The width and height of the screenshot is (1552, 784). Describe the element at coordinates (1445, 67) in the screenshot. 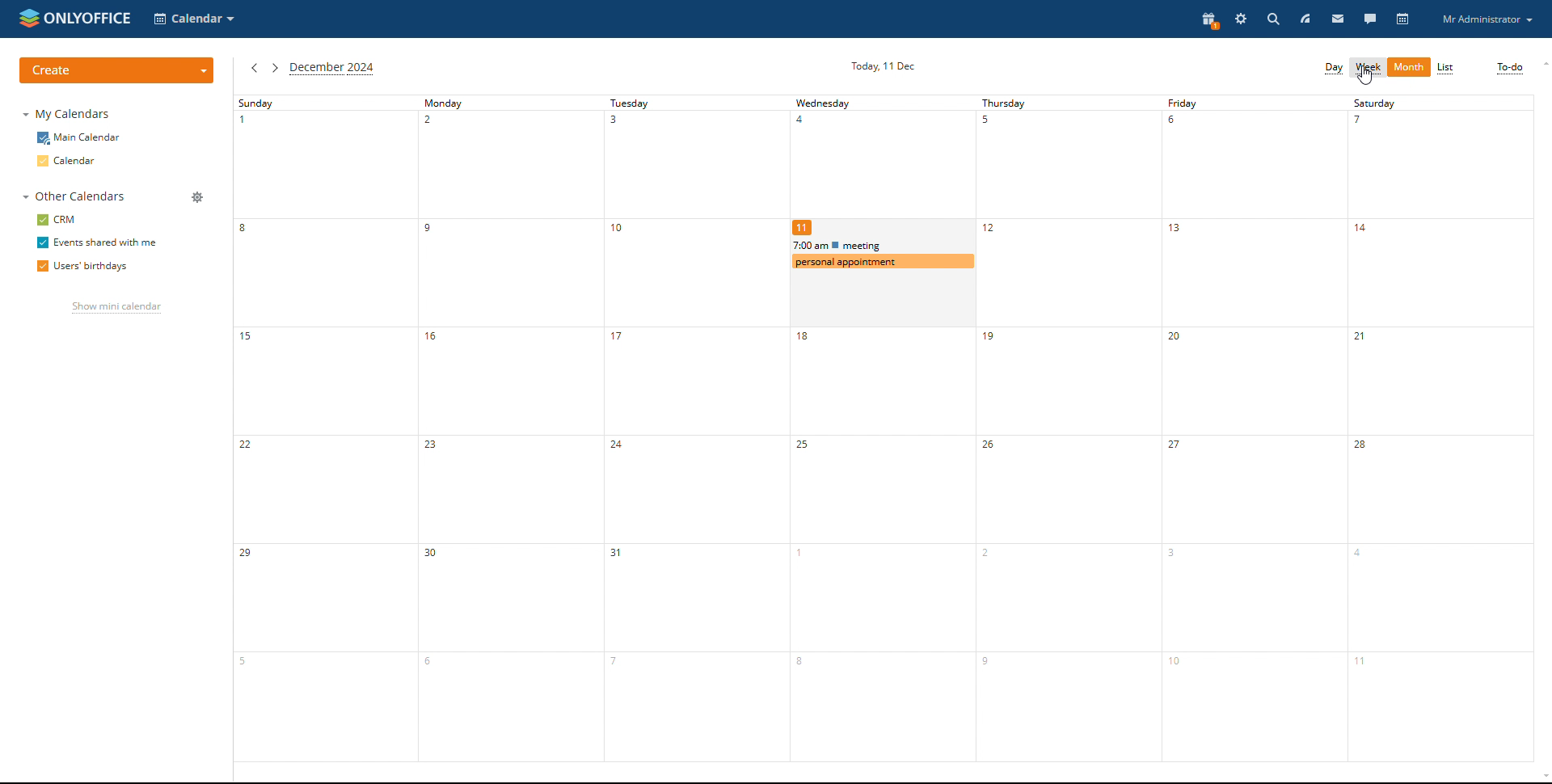

I see `list view` at that location.